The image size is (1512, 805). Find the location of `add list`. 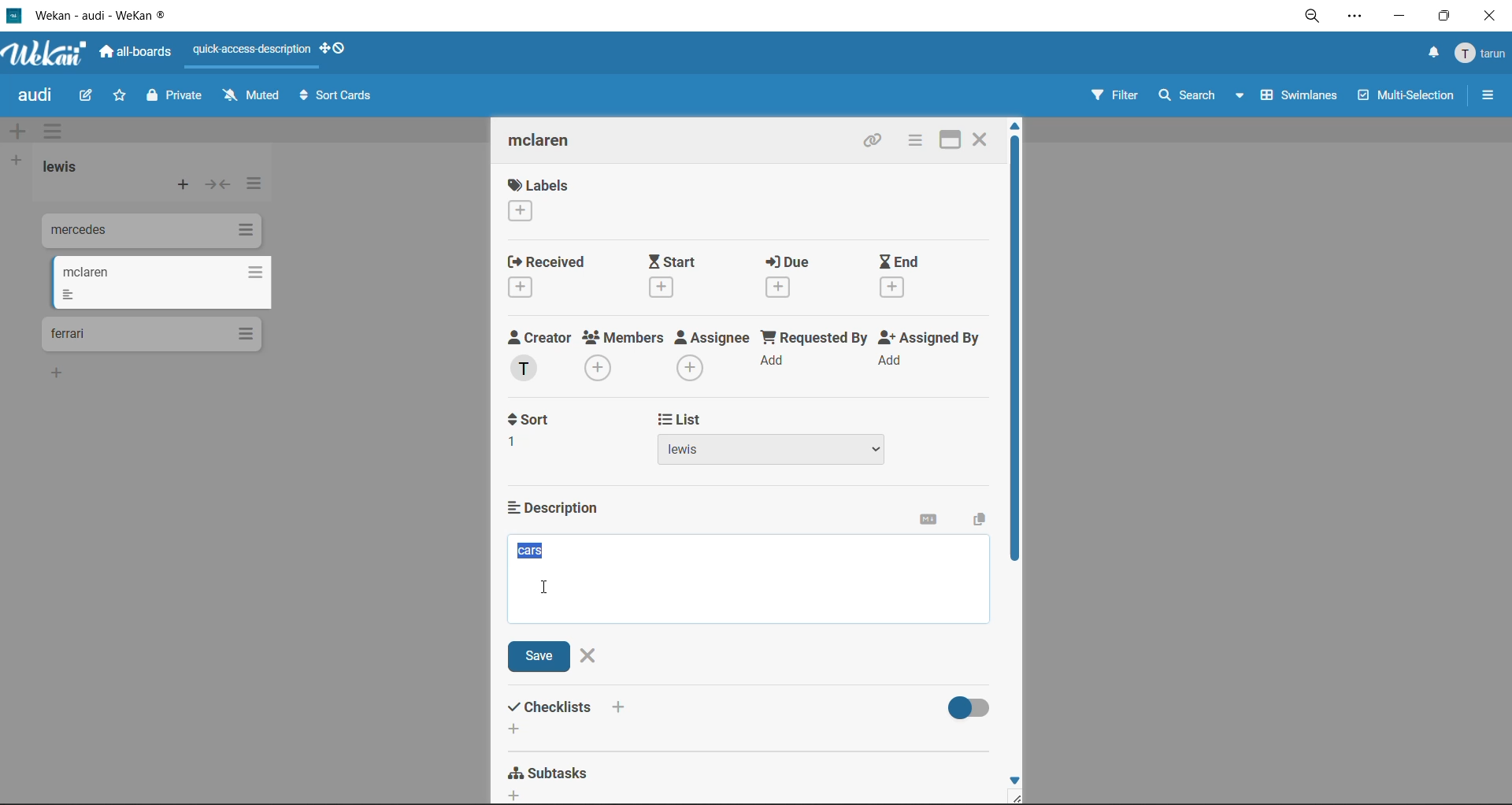

add list is located at coordinates (15, 161).